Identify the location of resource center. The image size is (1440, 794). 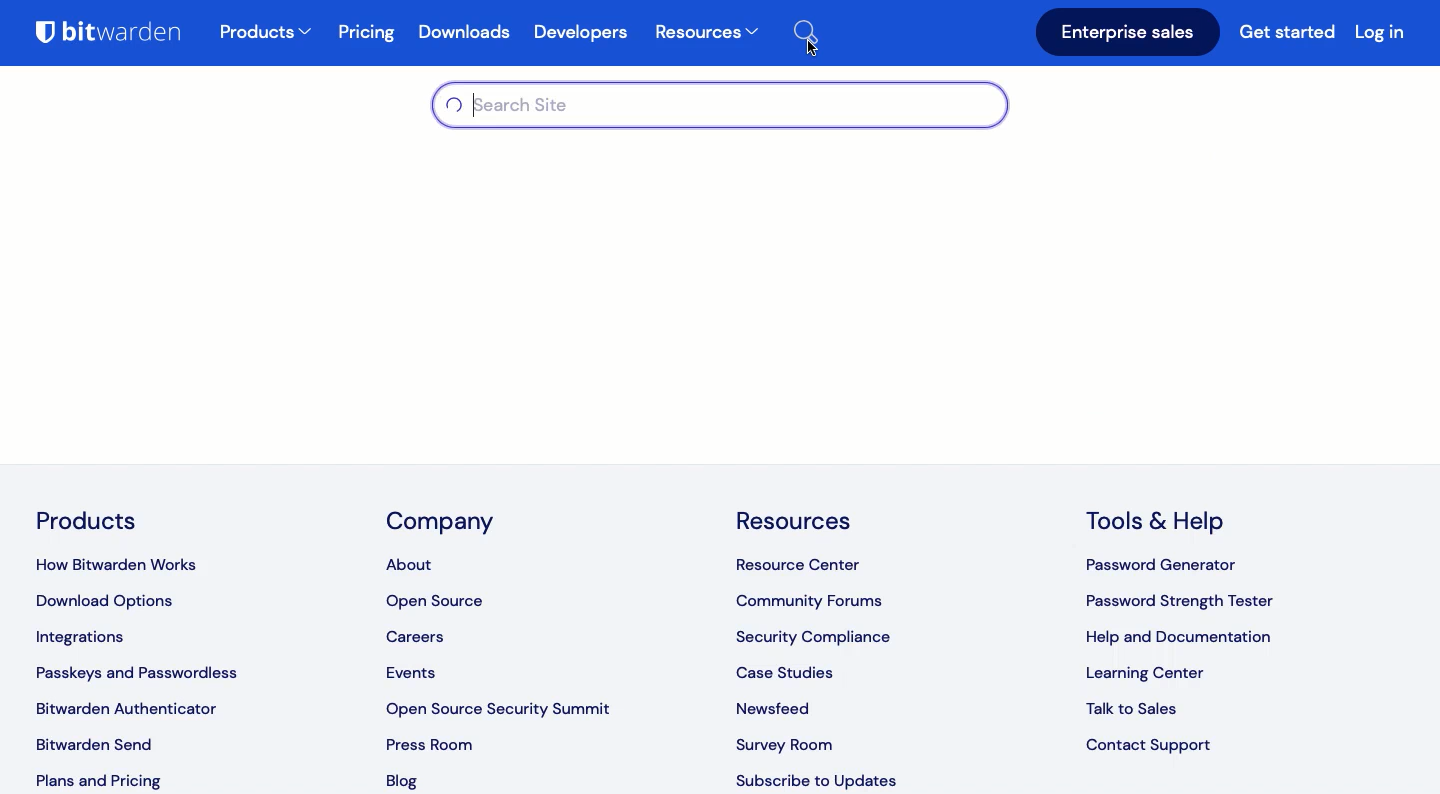
(807, 563).